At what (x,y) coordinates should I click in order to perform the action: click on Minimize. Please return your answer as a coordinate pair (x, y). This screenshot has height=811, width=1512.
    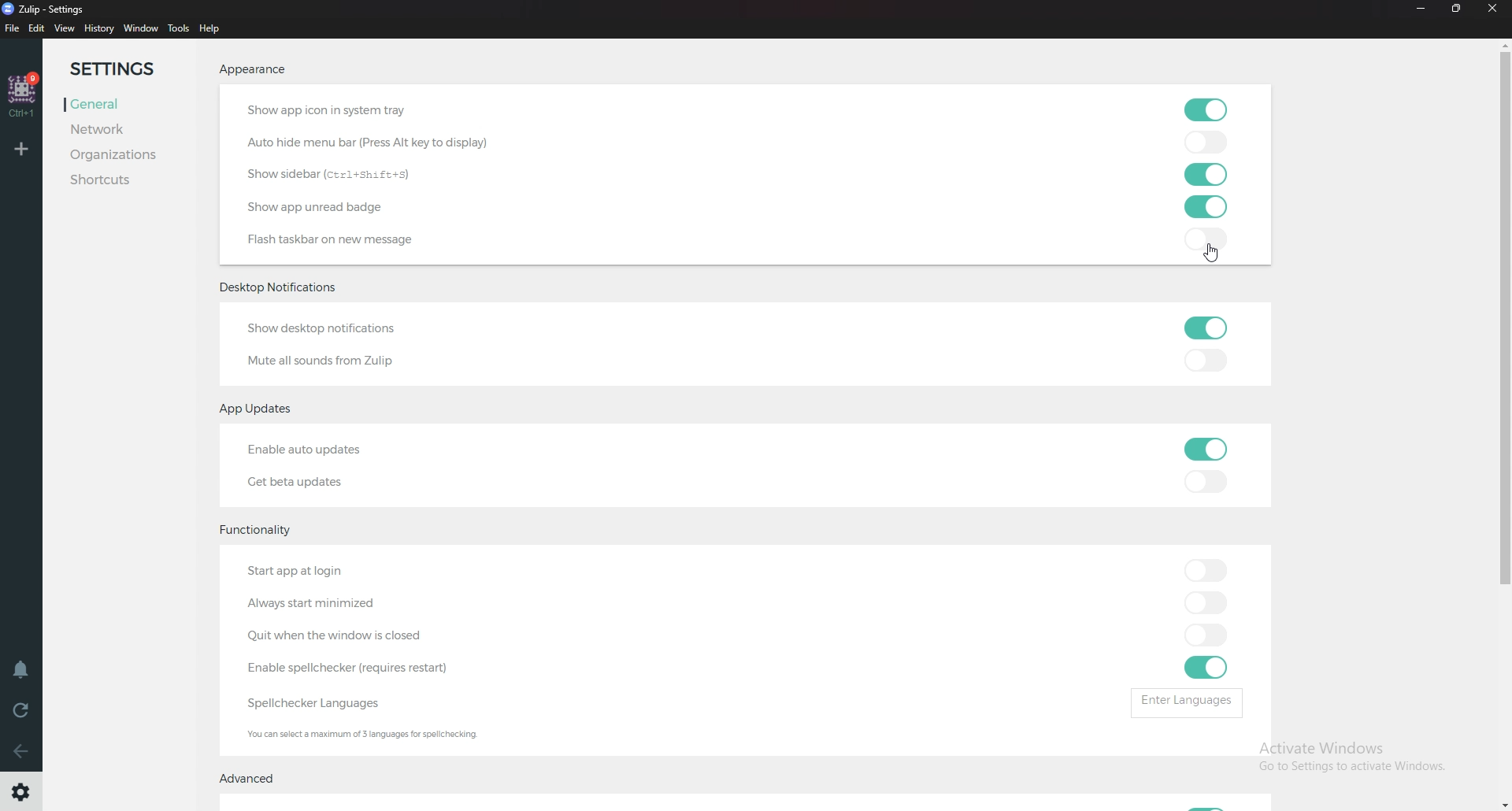
    Looking at the image, I should click on (1418, 9).